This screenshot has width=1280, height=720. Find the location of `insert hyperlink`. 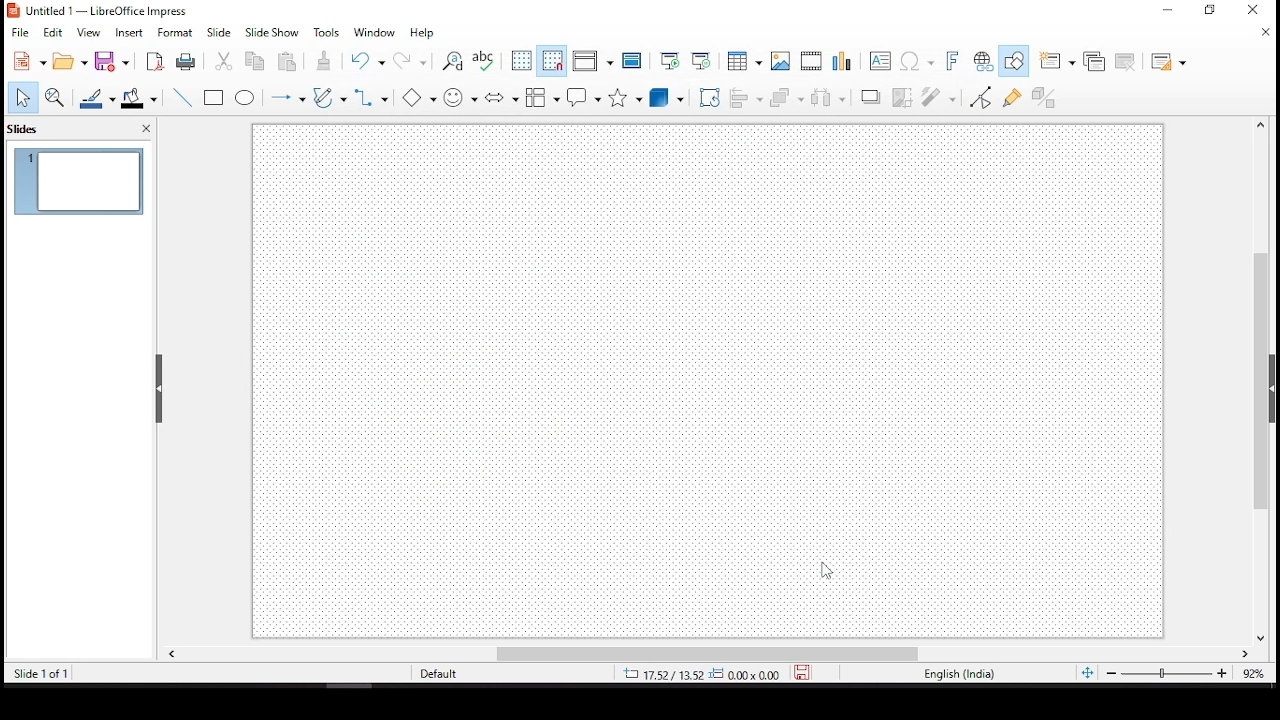

insert hyperlink is located at coordinates (984, 60).